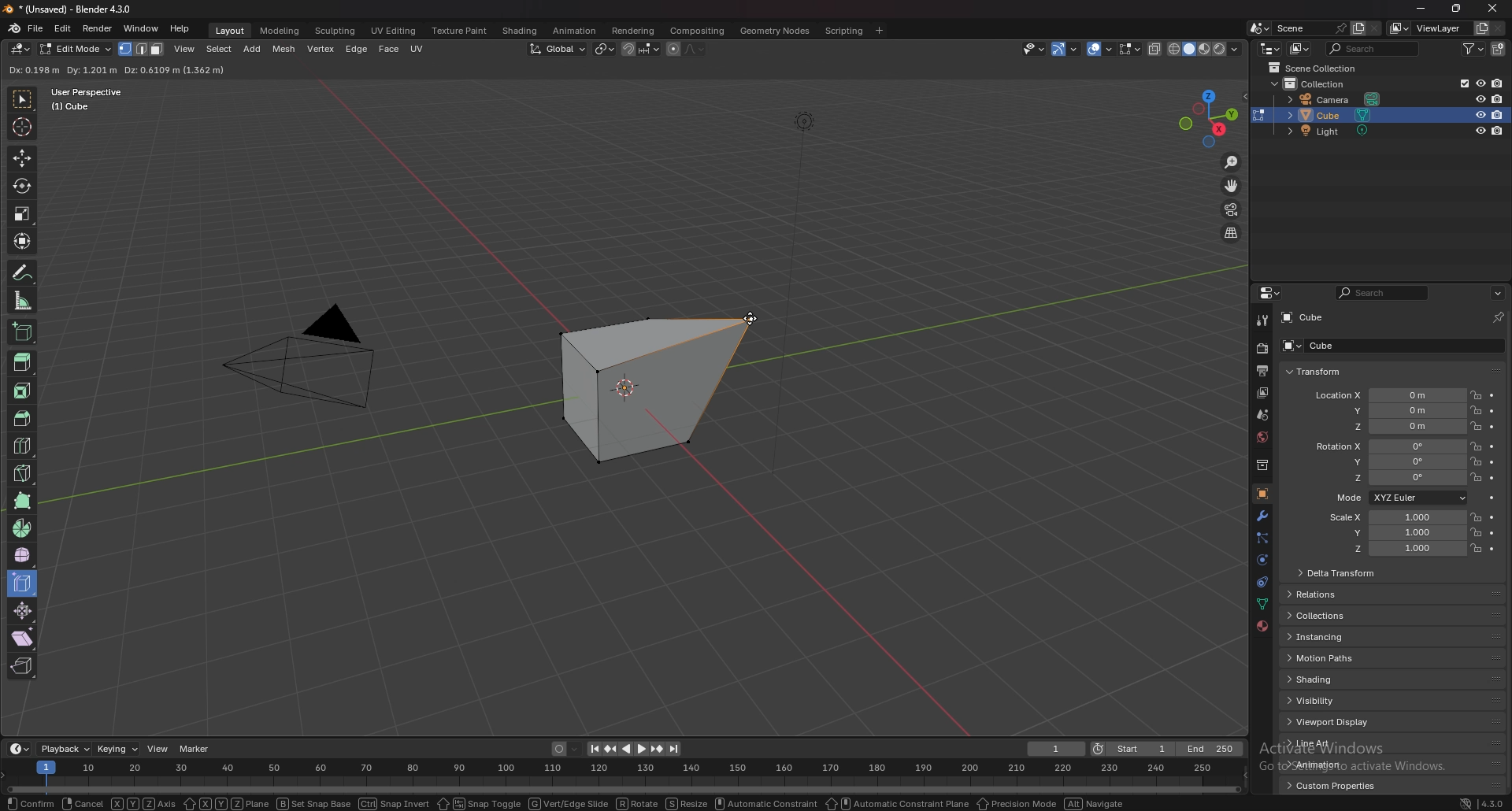  What do you see at coordinates (1262, 561) in the screenshot?
I see `physics` at bounding box center [1262, 561].